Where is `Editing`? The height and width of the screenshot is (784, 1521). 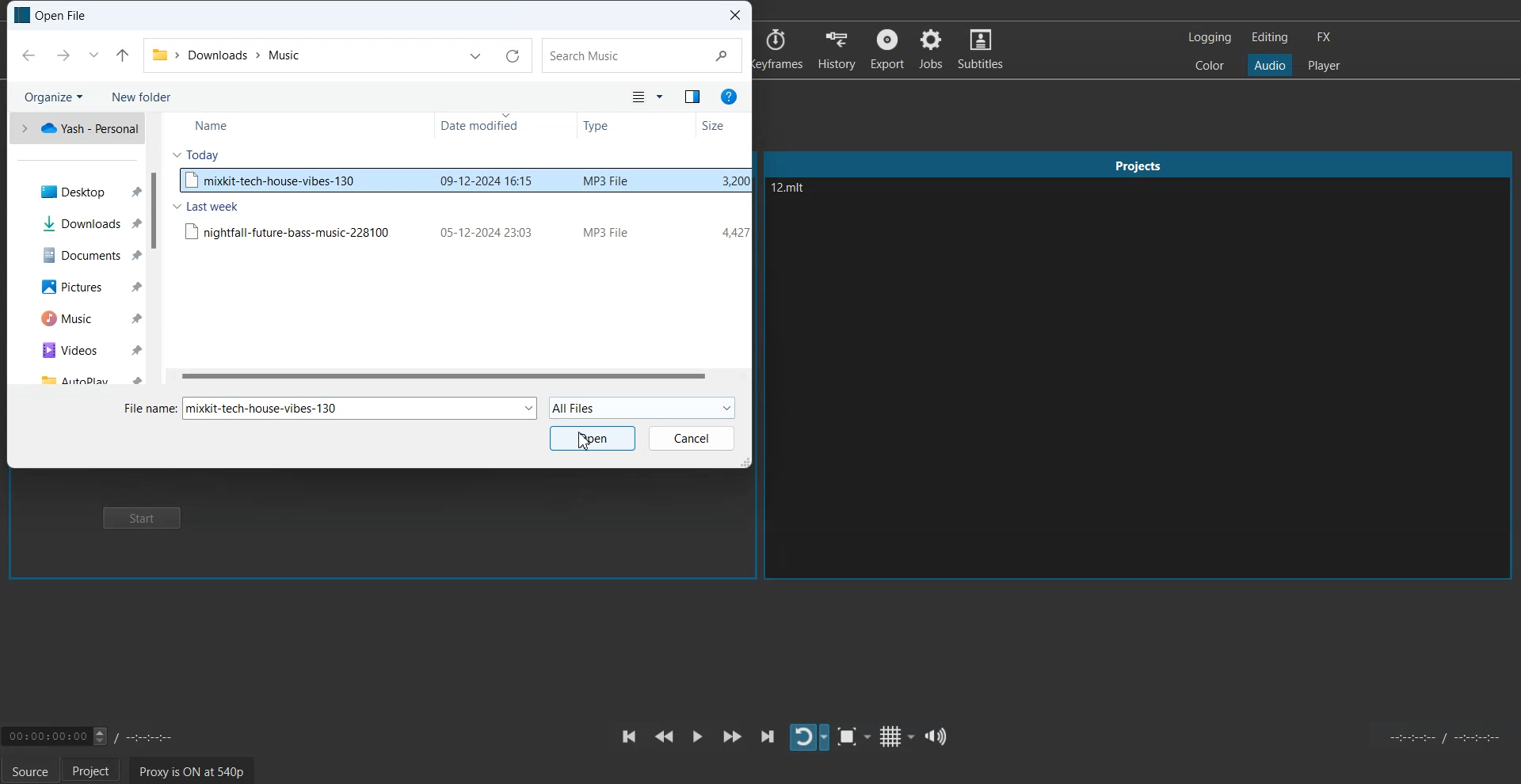
Editing is located at coordinates (1270, 37).